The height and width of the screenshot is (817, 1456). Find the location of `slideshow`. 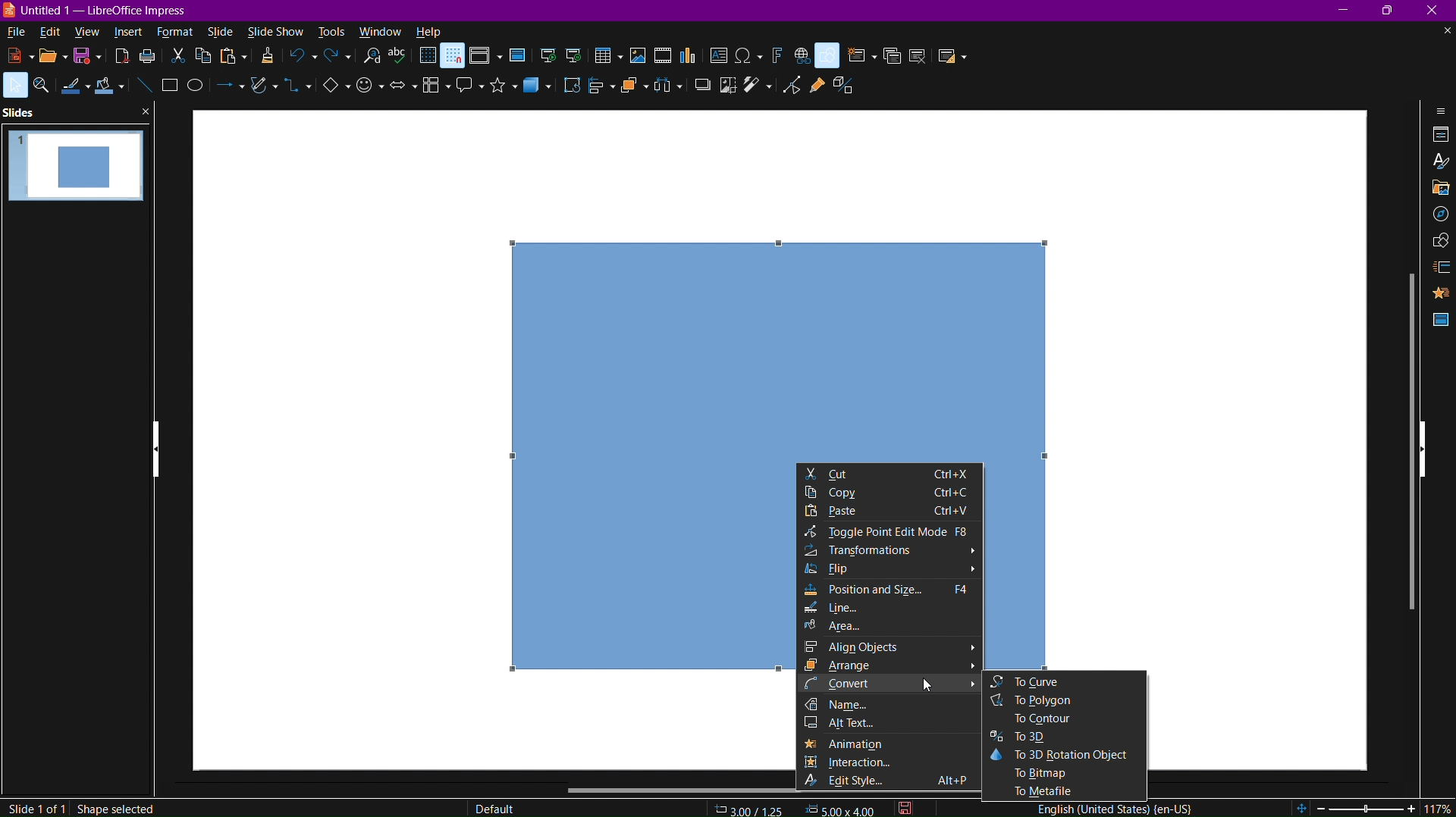

slideshow is located at coordinates (275, 31).